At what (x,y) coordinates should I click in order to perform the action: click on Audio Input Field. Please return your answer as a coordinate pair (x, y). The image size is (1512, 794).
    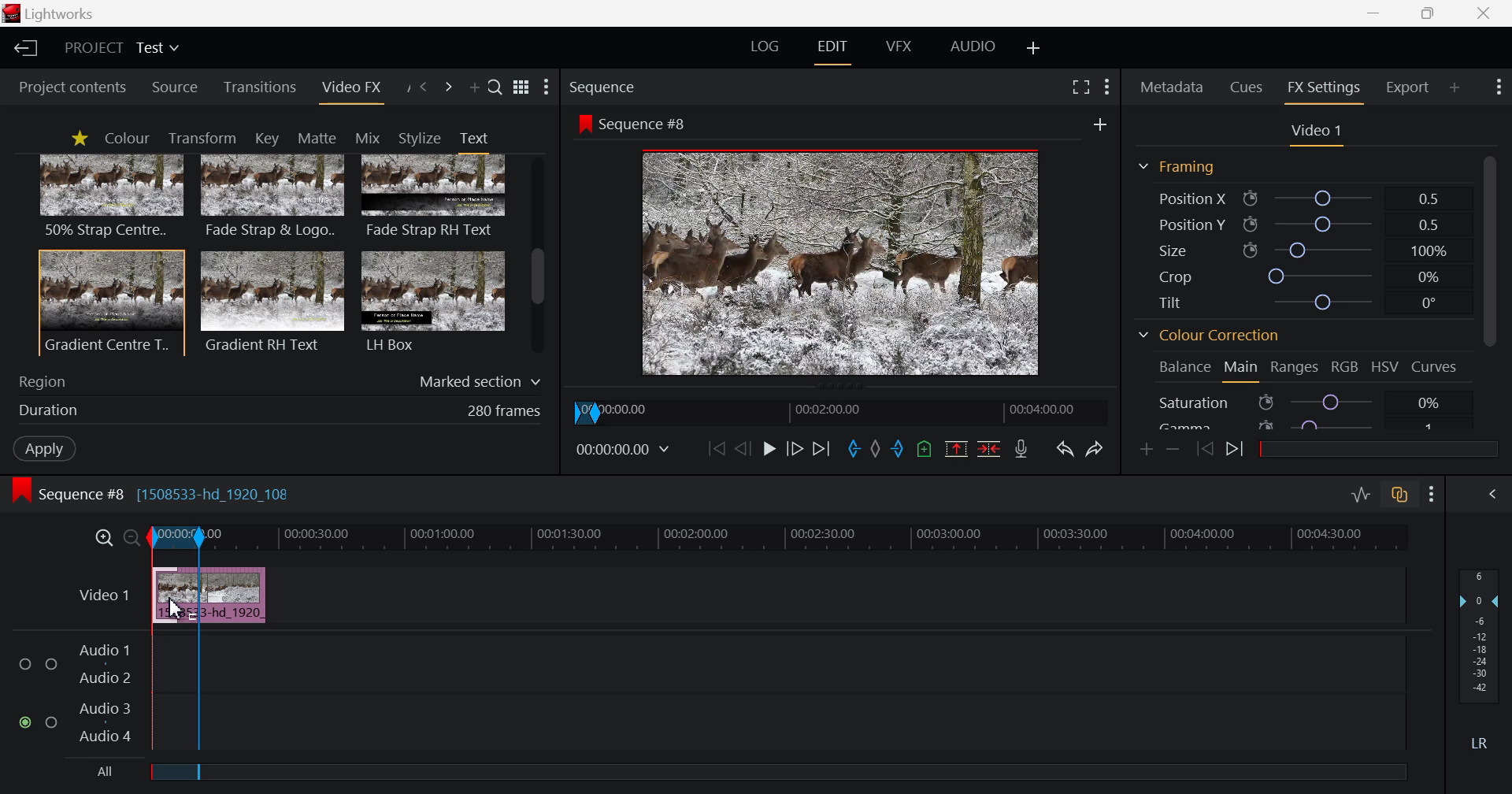
    Looking at the image, I should click on (804, 687).